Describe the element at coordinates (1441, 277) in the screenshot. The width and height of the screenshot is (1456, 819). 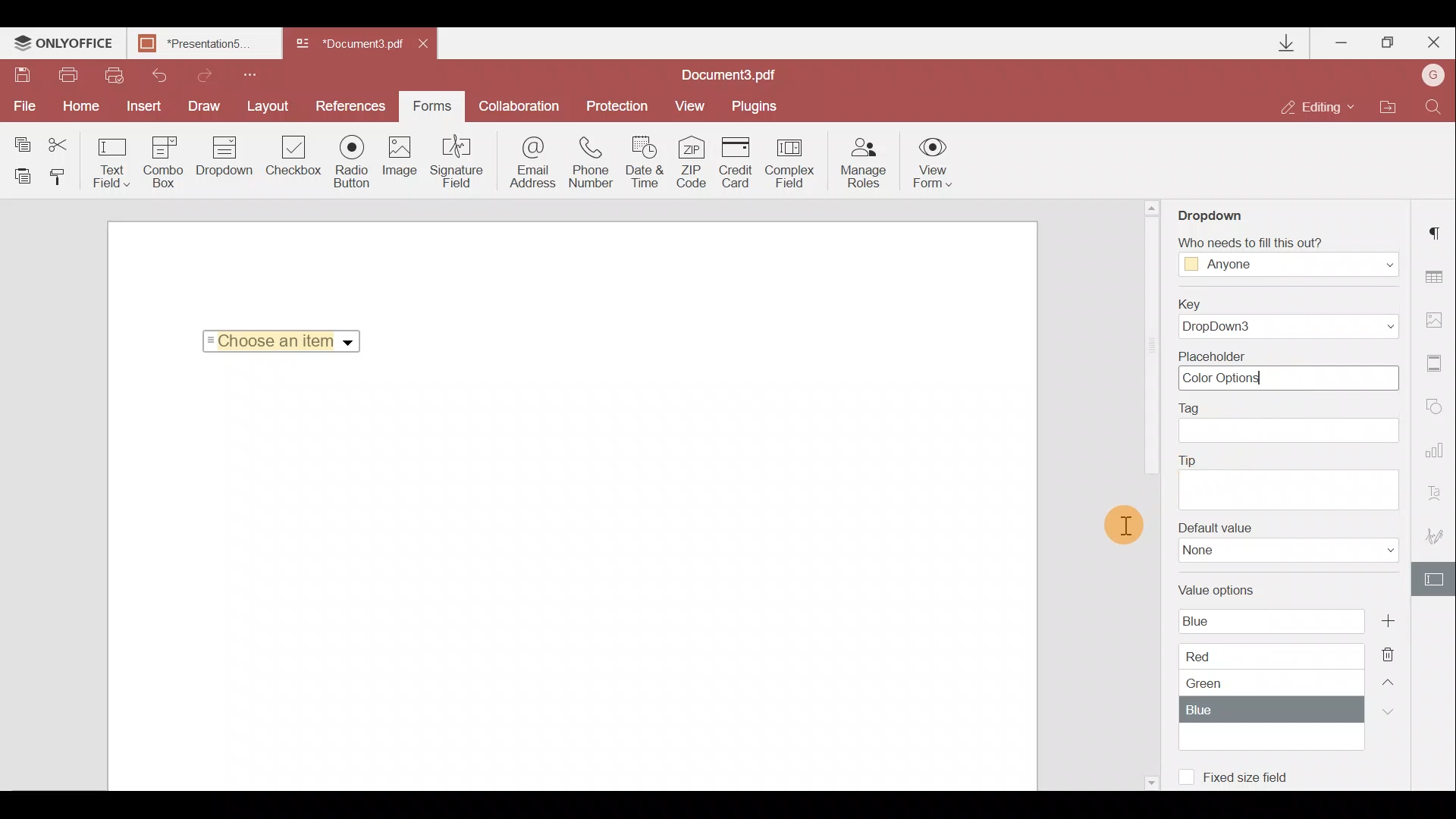
I see `Table settings` at that location.